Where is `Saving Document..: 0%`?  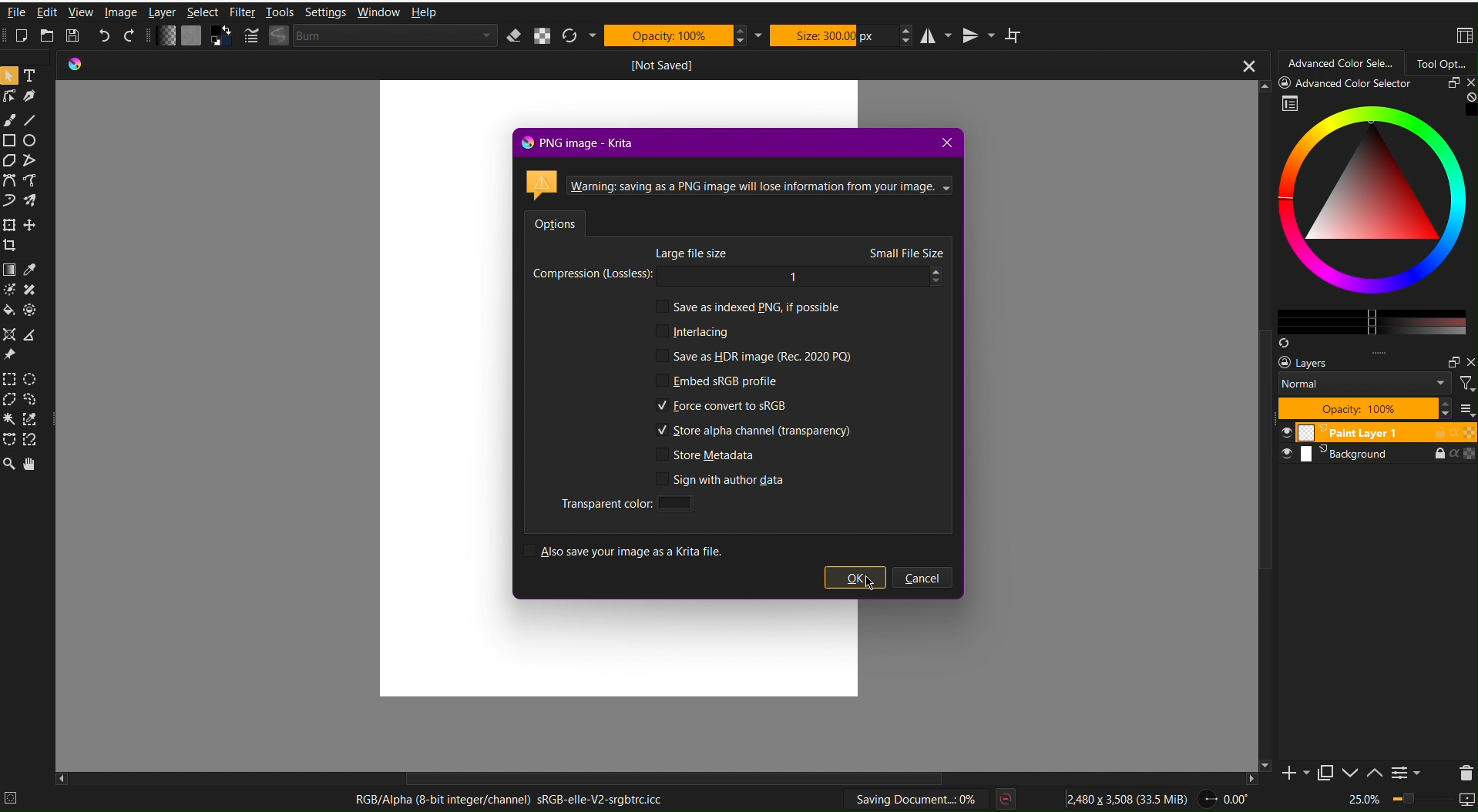 Saving Document..: 0% is located at coordinates (917, 799).